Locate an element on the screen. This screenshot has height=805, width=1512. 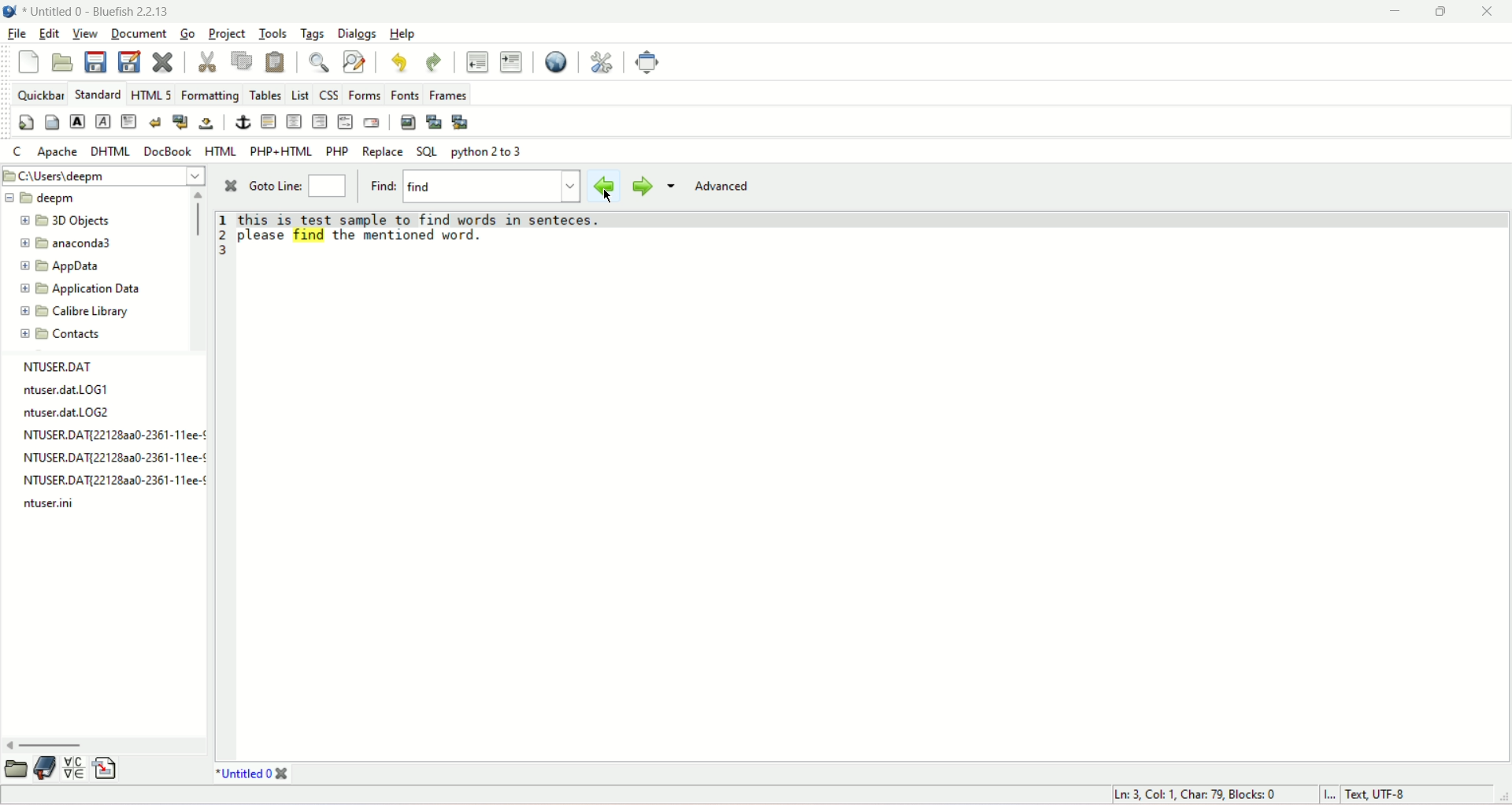
goto line: is located at coordinates (299, 185).